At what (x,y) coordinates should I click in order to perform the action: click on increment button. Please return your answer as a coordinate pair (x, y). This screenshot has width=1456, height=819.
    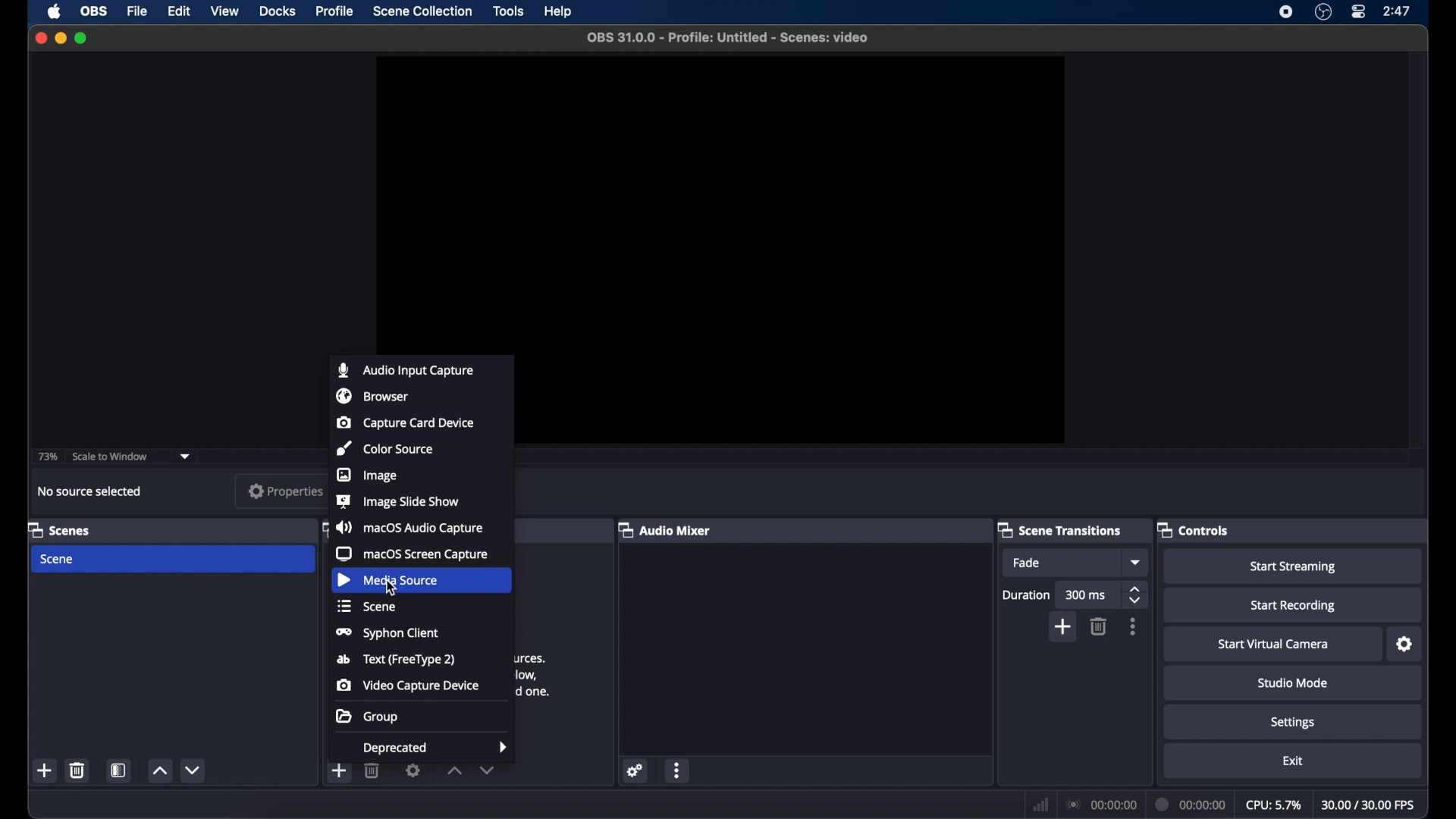
    Looking at the image, I should click on (454, 771).